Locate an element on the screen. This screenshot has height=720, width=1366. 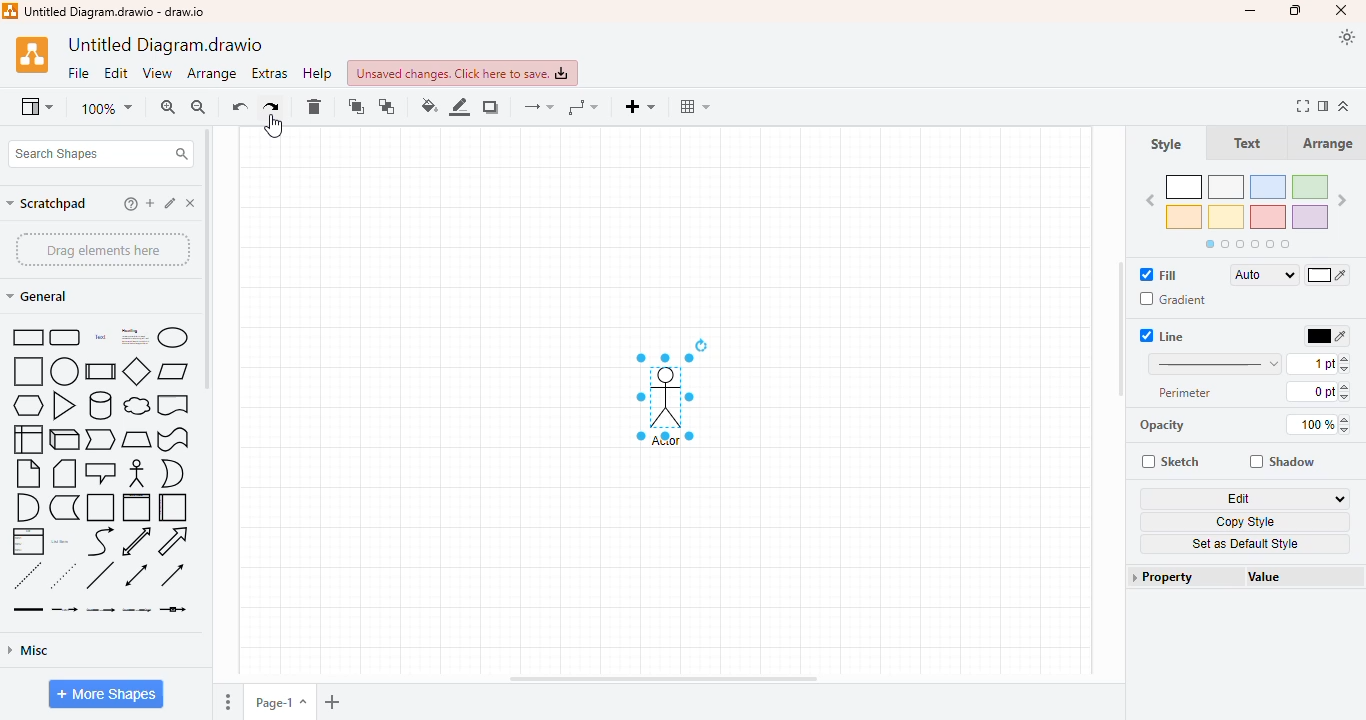
misc is located at coordinates (28, 650).